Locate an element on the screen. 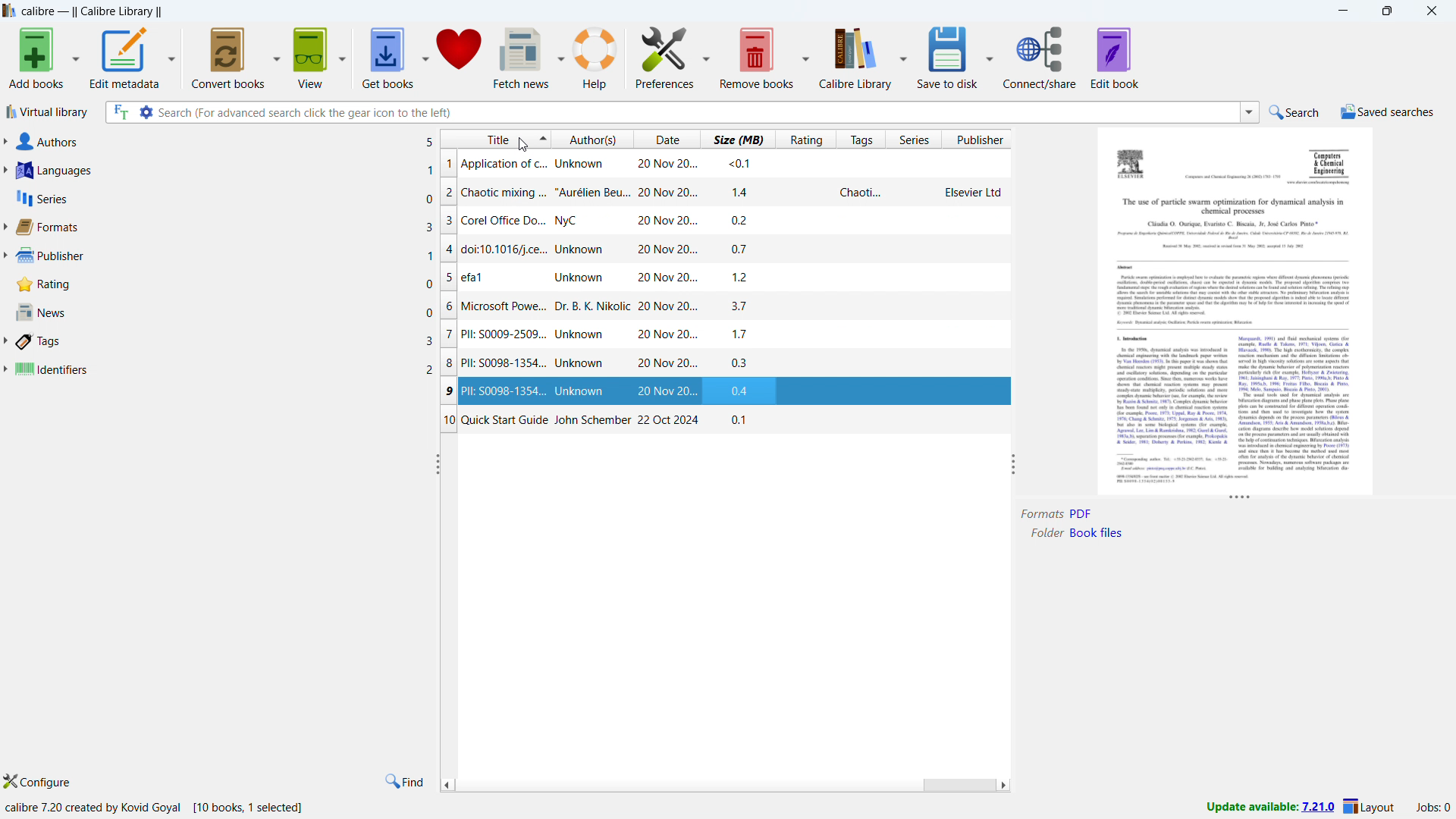   is located at coordinates (1295, 403).